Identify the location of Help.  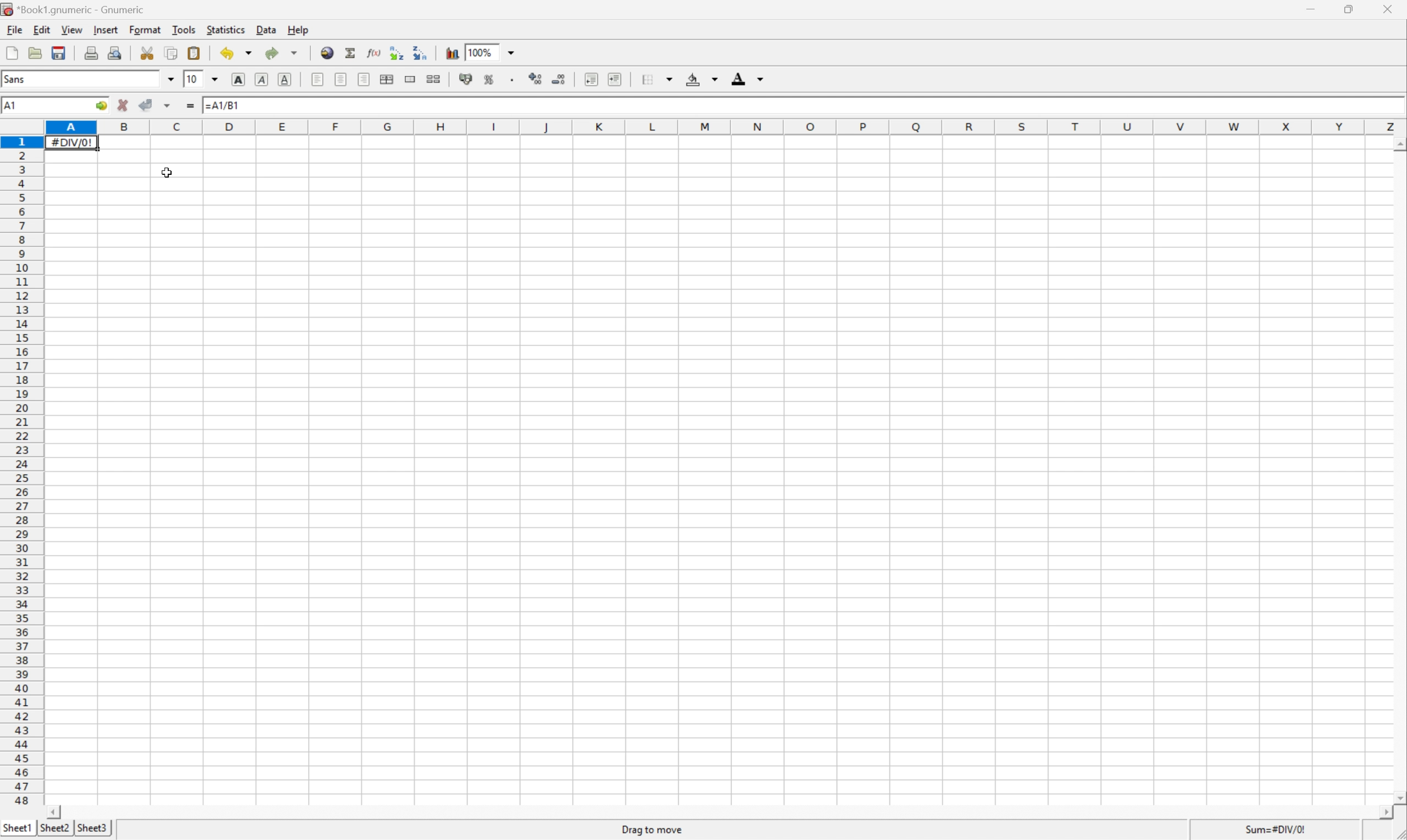
(297, 29).